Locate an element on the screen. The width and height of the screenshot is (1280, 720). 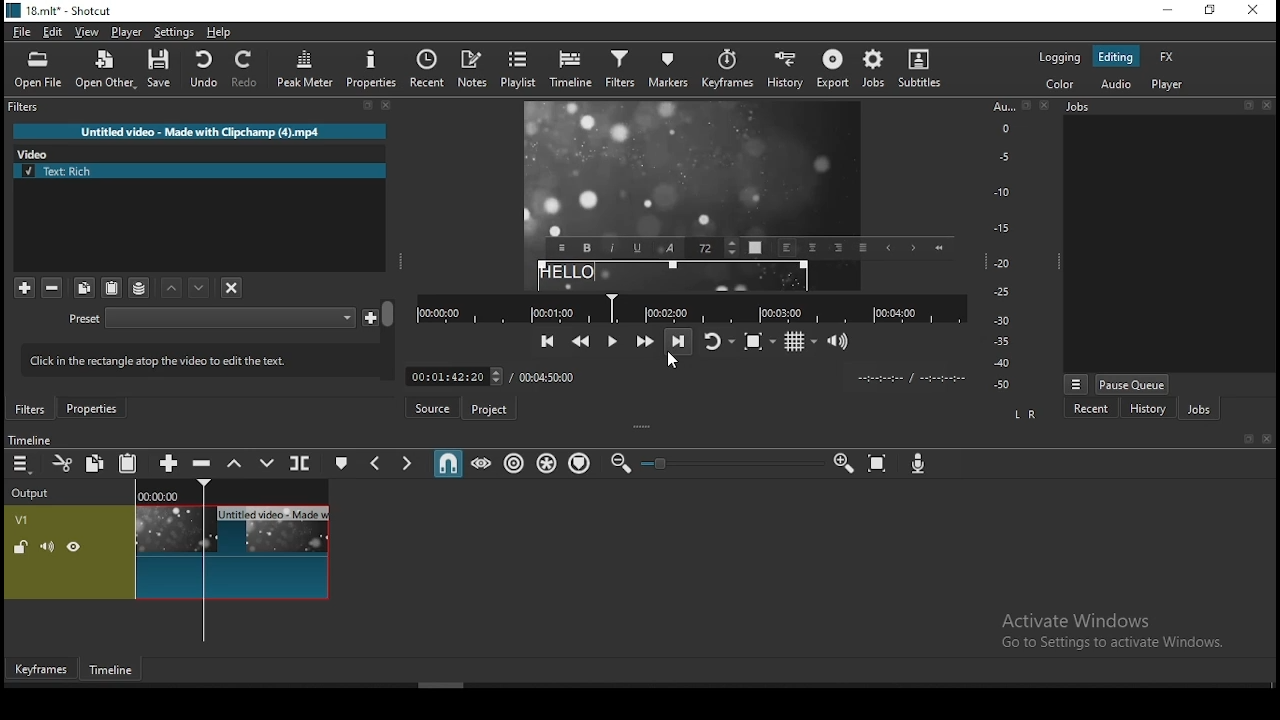
edit is located at coordinates (55, 33).